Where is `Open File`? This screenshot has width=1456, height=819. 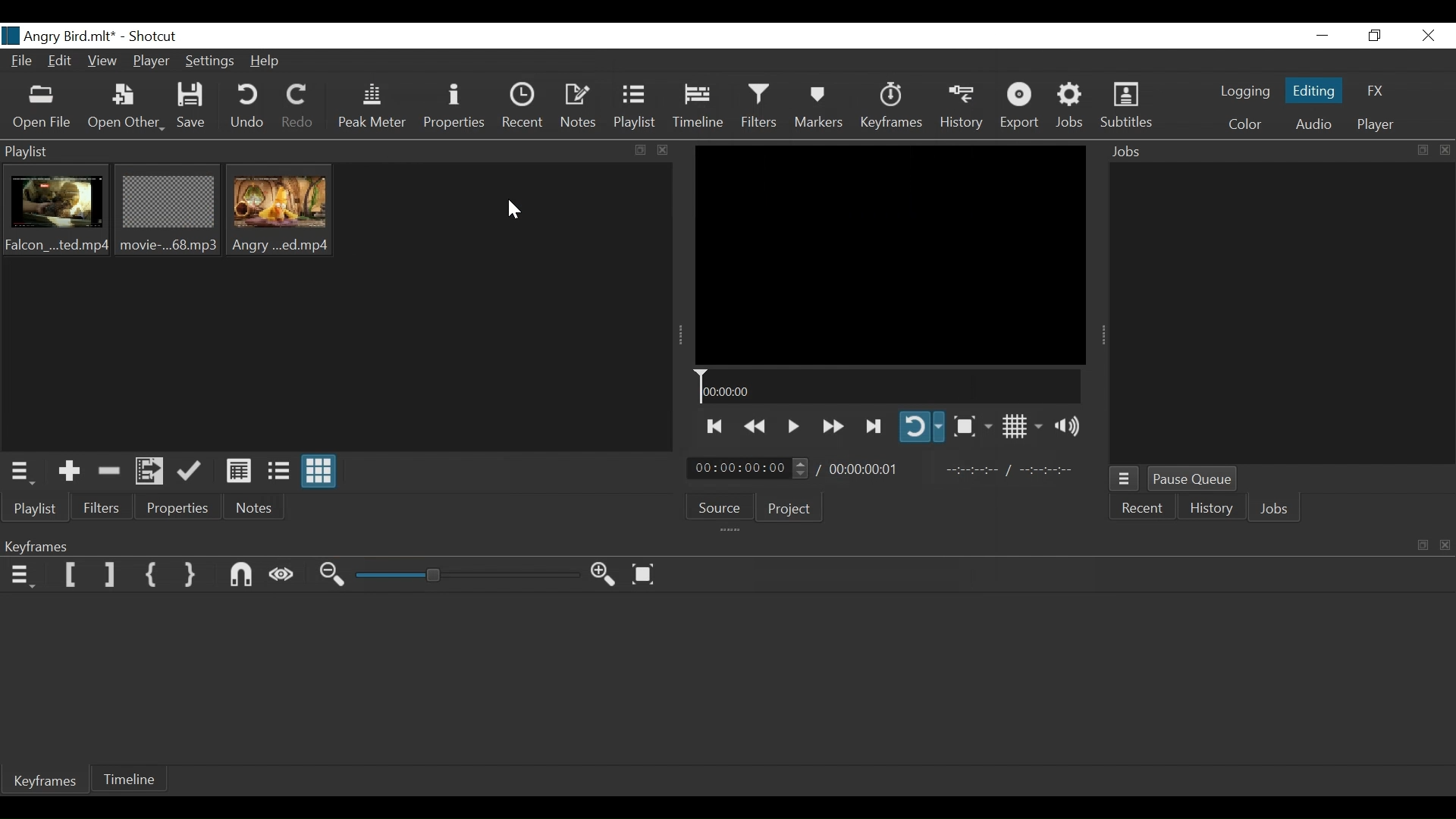 Open File is located at coordinates (43, 108).